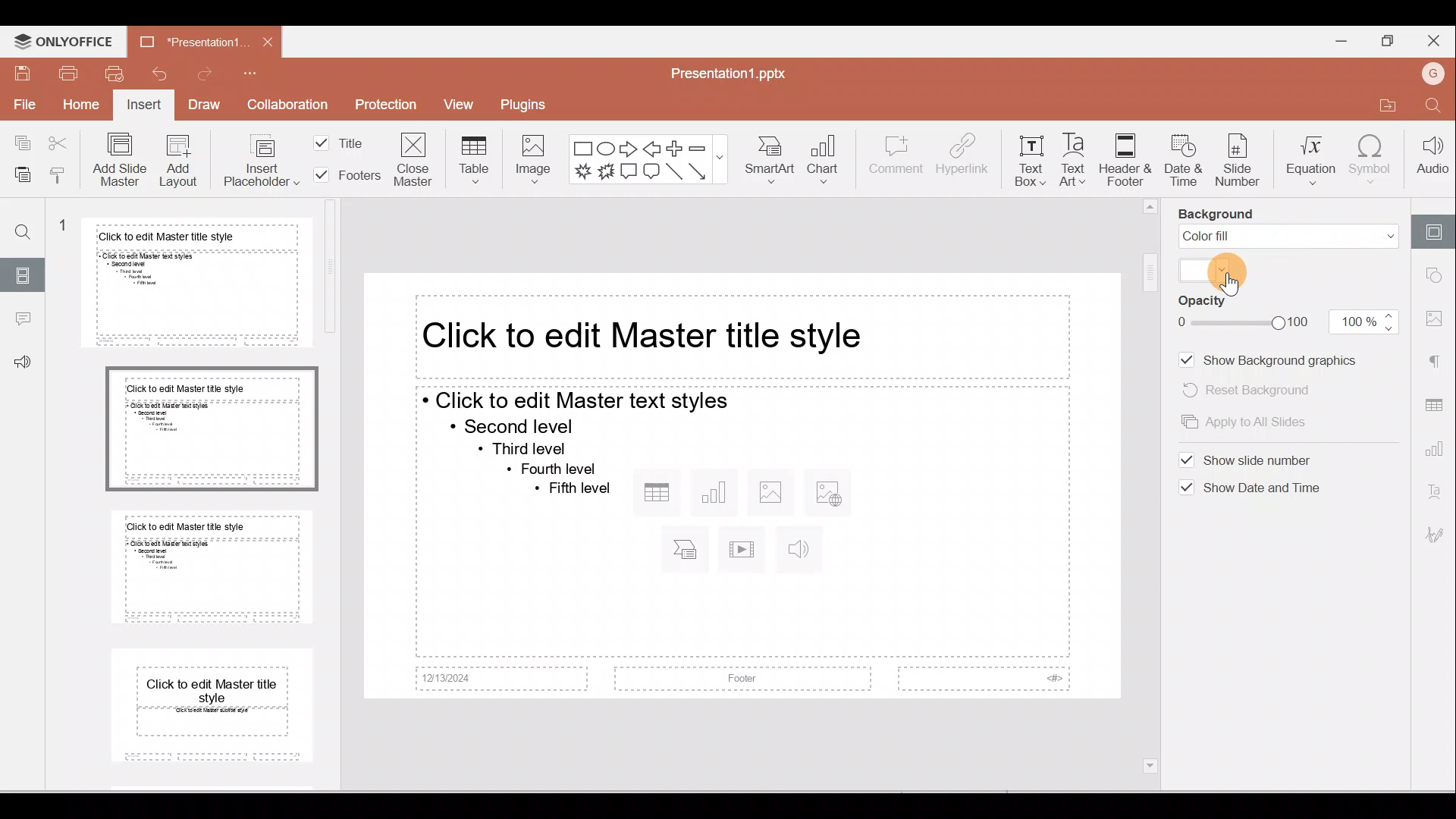  Describe the element at coordinates (1151, 488) in the screenshot. I see `vertical scrollbar` at that location.